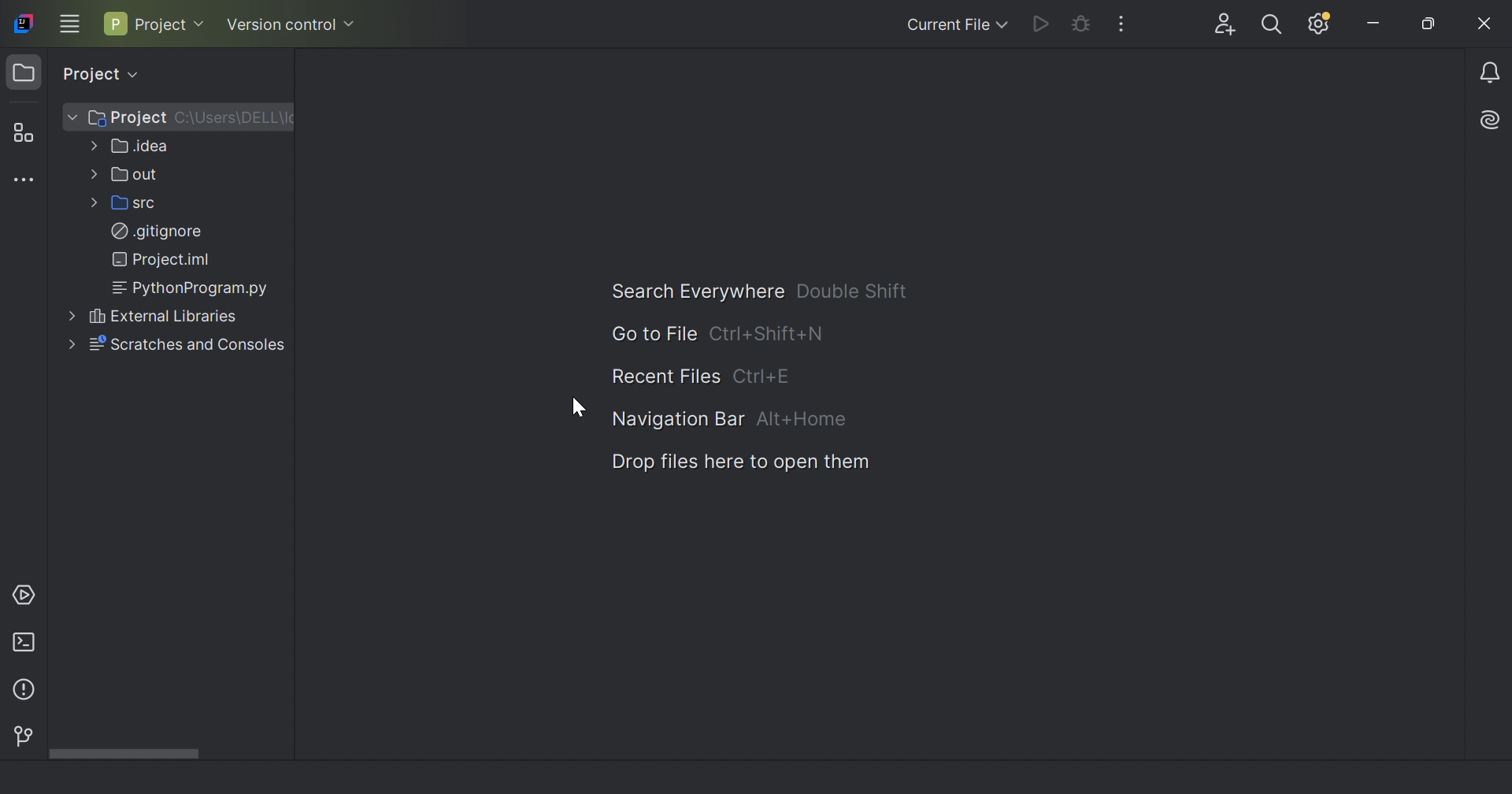 This screenshot has width=1512, height=794. Describe the element at coordinates (155, 24) in the screenshot. I see `Project` at that location.